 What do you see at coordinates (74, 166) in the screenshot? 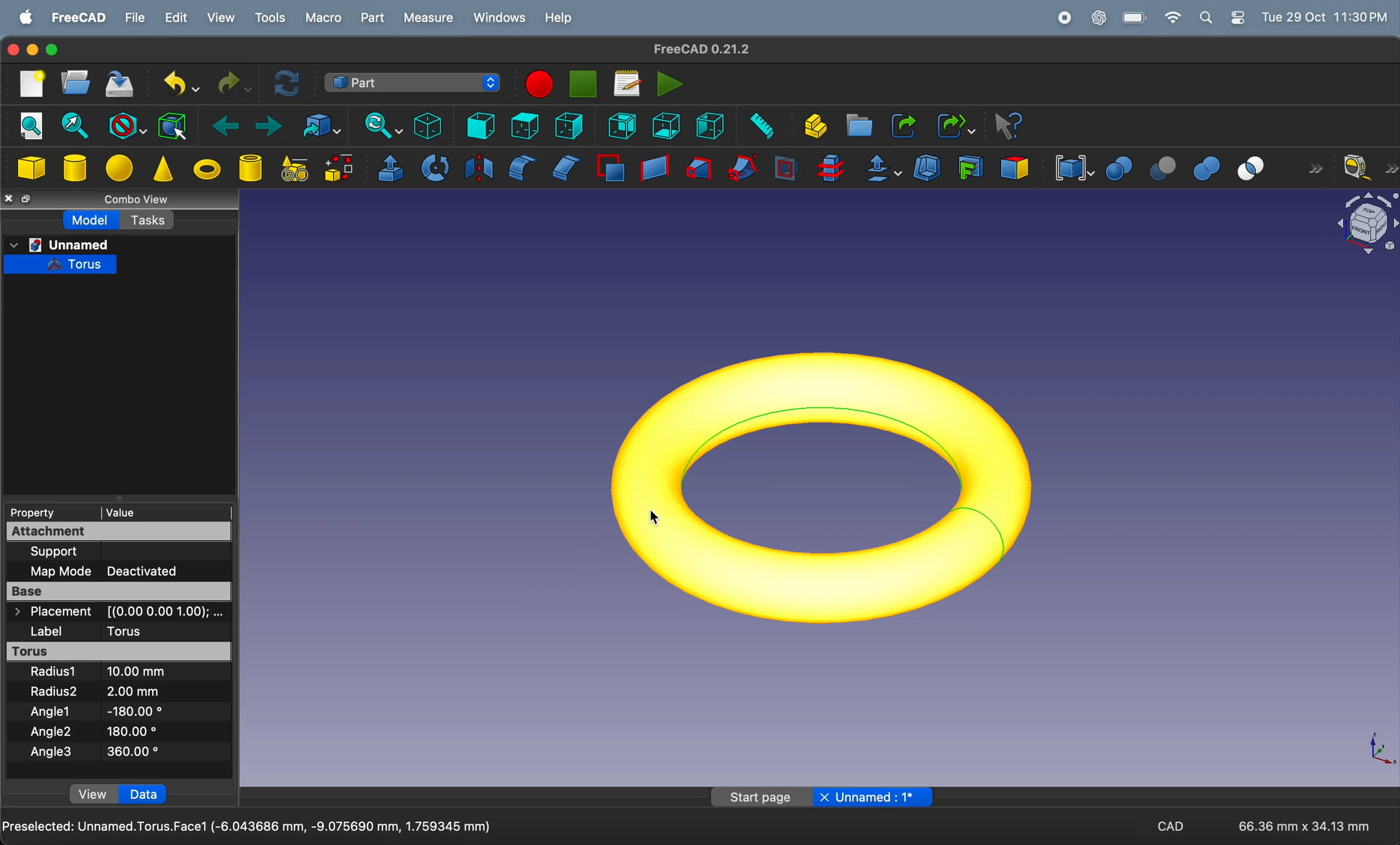
I see `cylinder` at bounding box center [74, 166].